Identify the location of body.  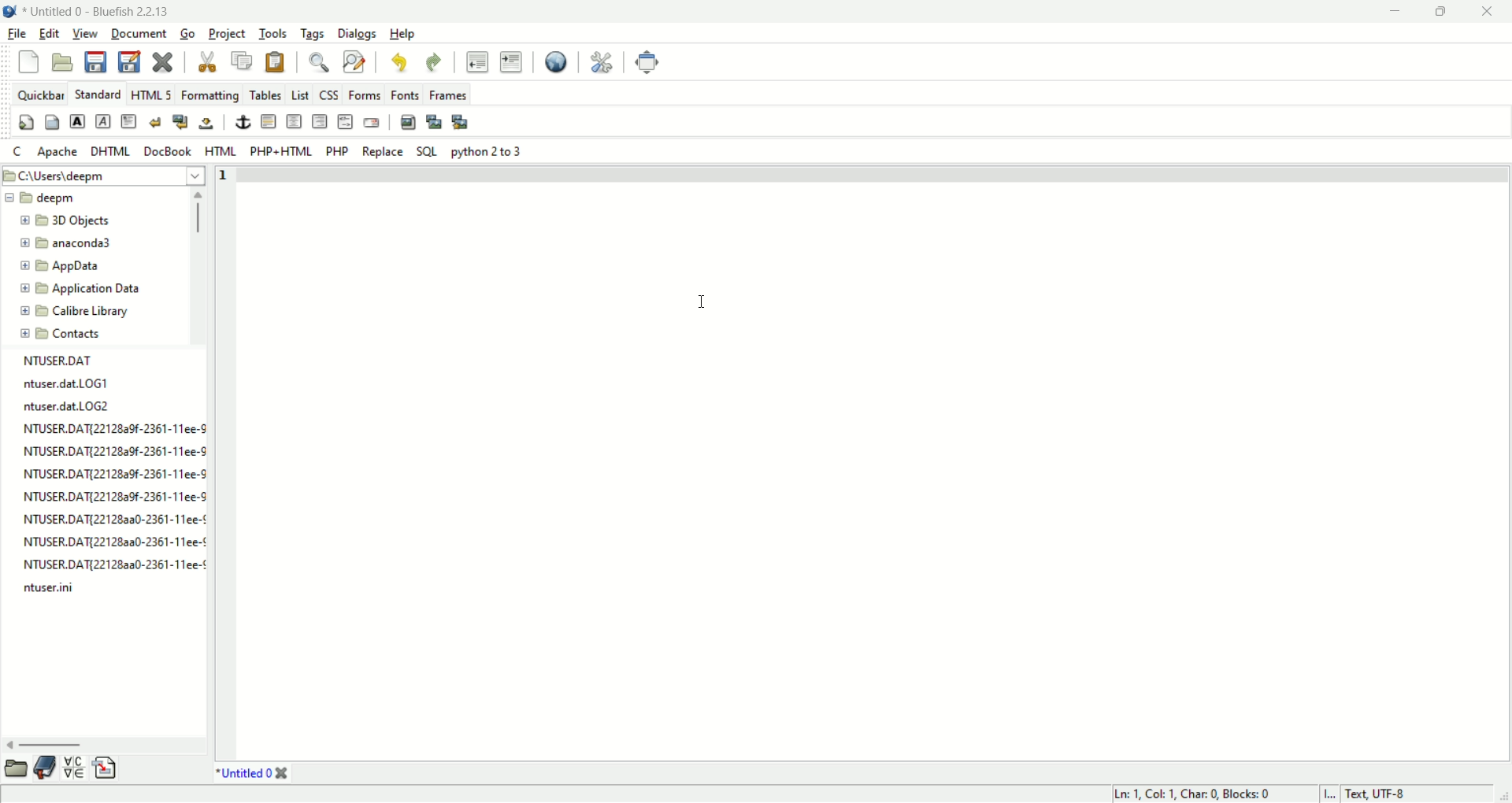
(51, 123).